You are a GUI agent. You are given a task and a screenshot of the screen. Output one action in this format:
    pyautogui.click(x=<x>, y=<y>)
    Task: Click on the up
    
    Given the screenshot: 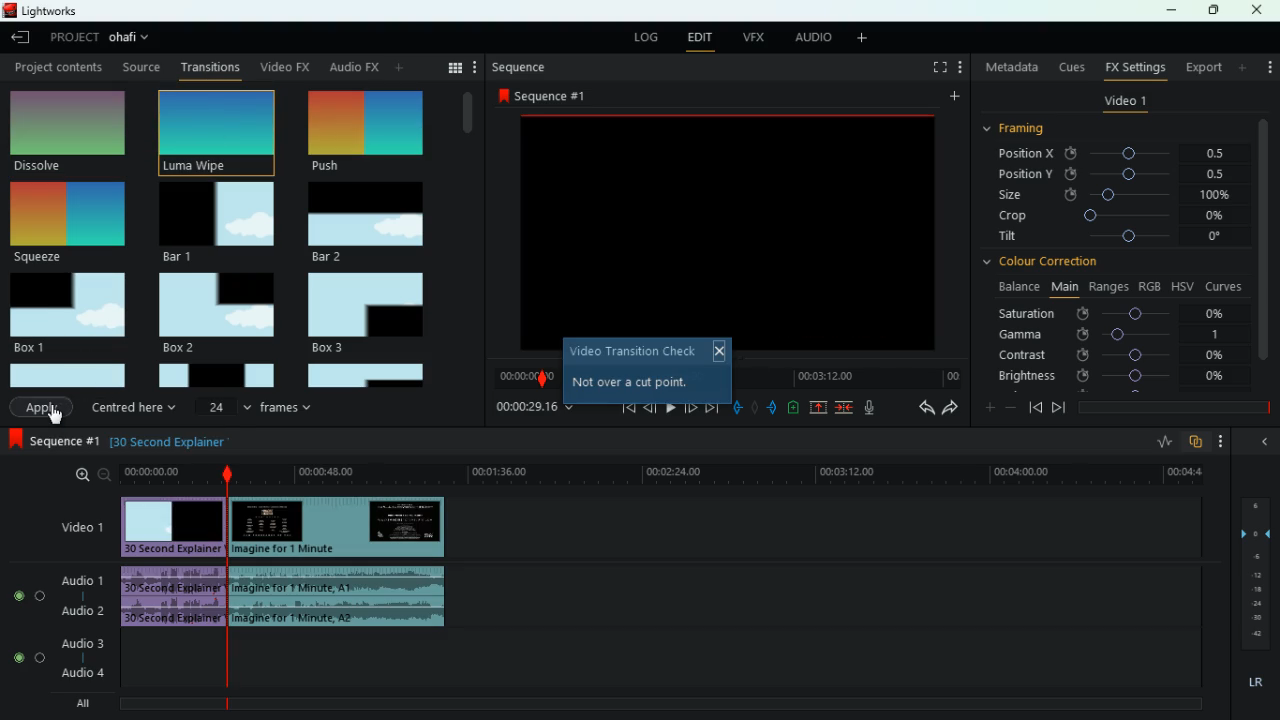 What is the action you would take?
    pyautogui.click(x=819, y=409)
    